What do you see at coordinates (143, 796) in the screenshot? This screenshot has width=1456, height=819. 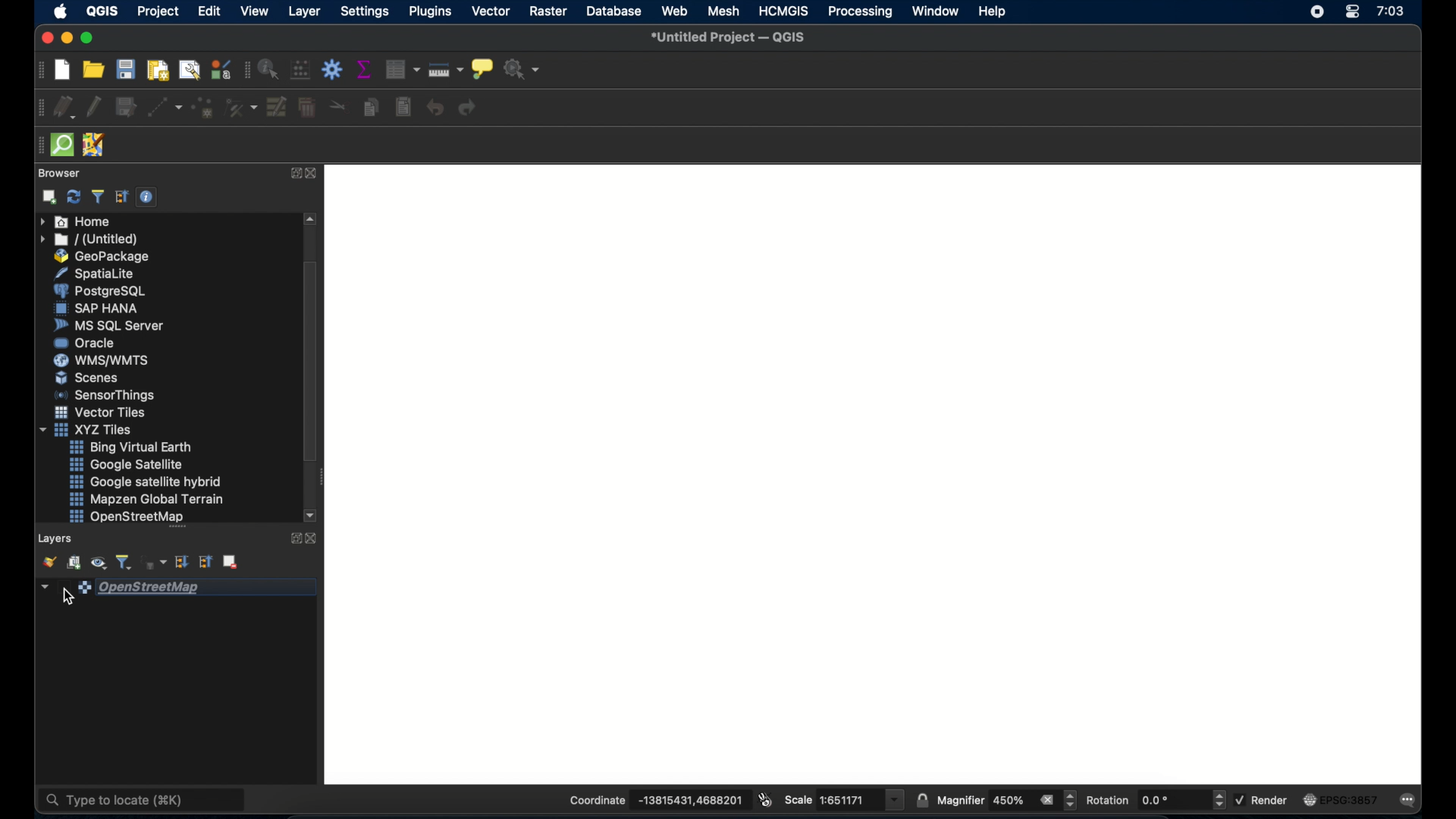 I see `type to locate` at bounding box center [143, 796].